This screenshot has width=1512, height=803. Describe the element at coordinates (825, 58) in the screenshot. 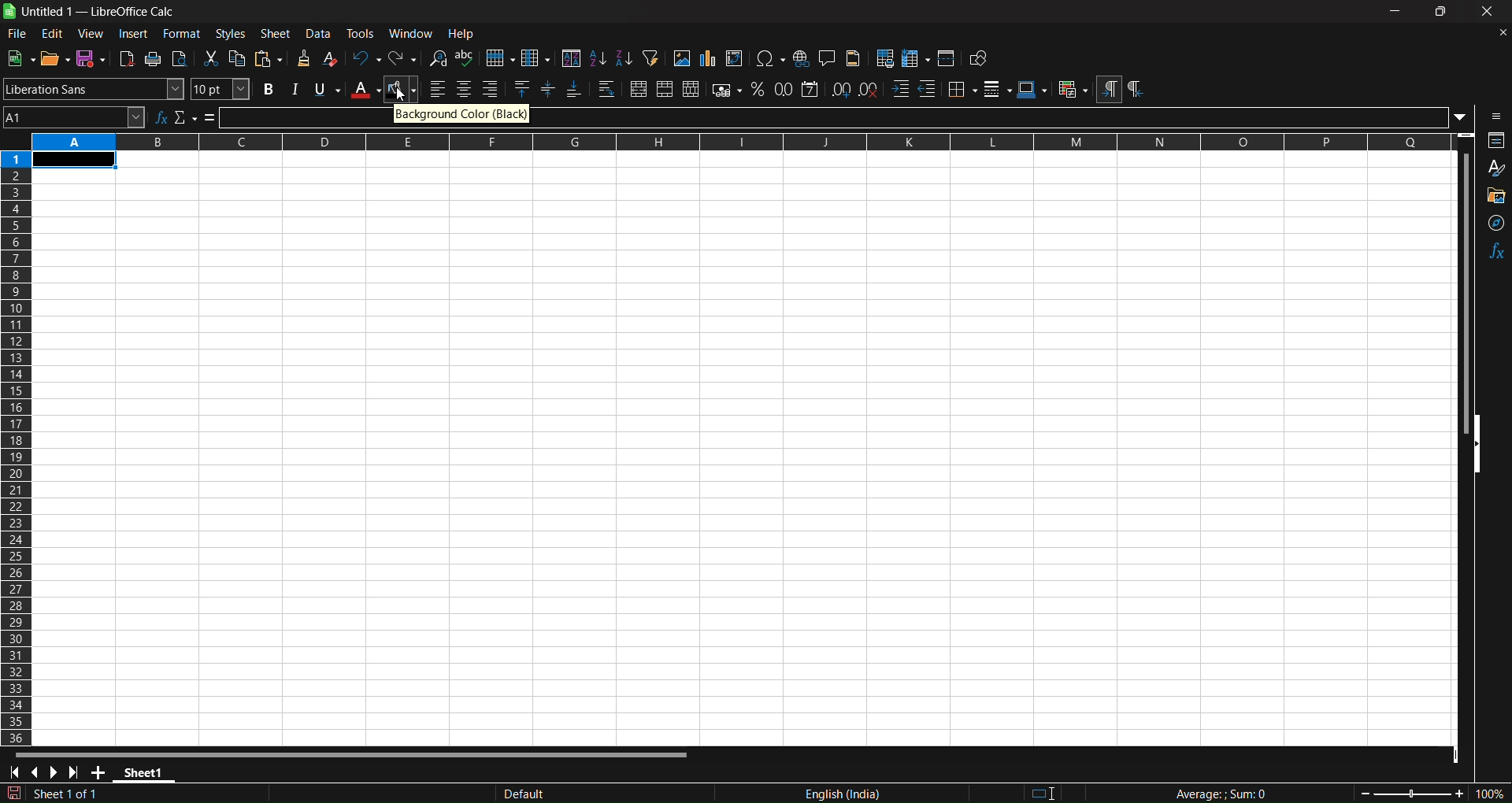

I see `insert comment` at that location.